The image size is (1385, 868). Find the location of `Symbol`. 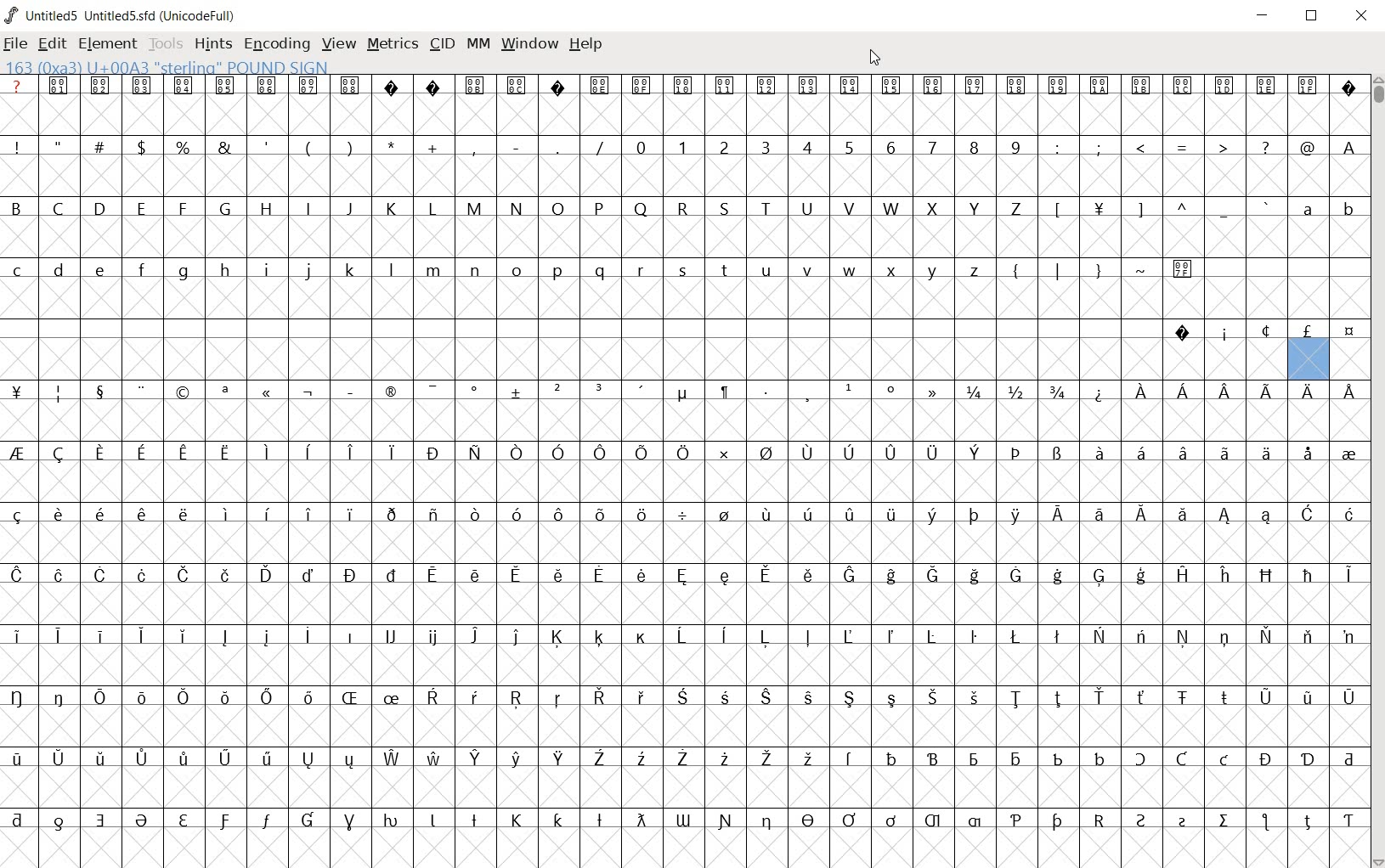

Symbol is located at coordinates (809, 759).